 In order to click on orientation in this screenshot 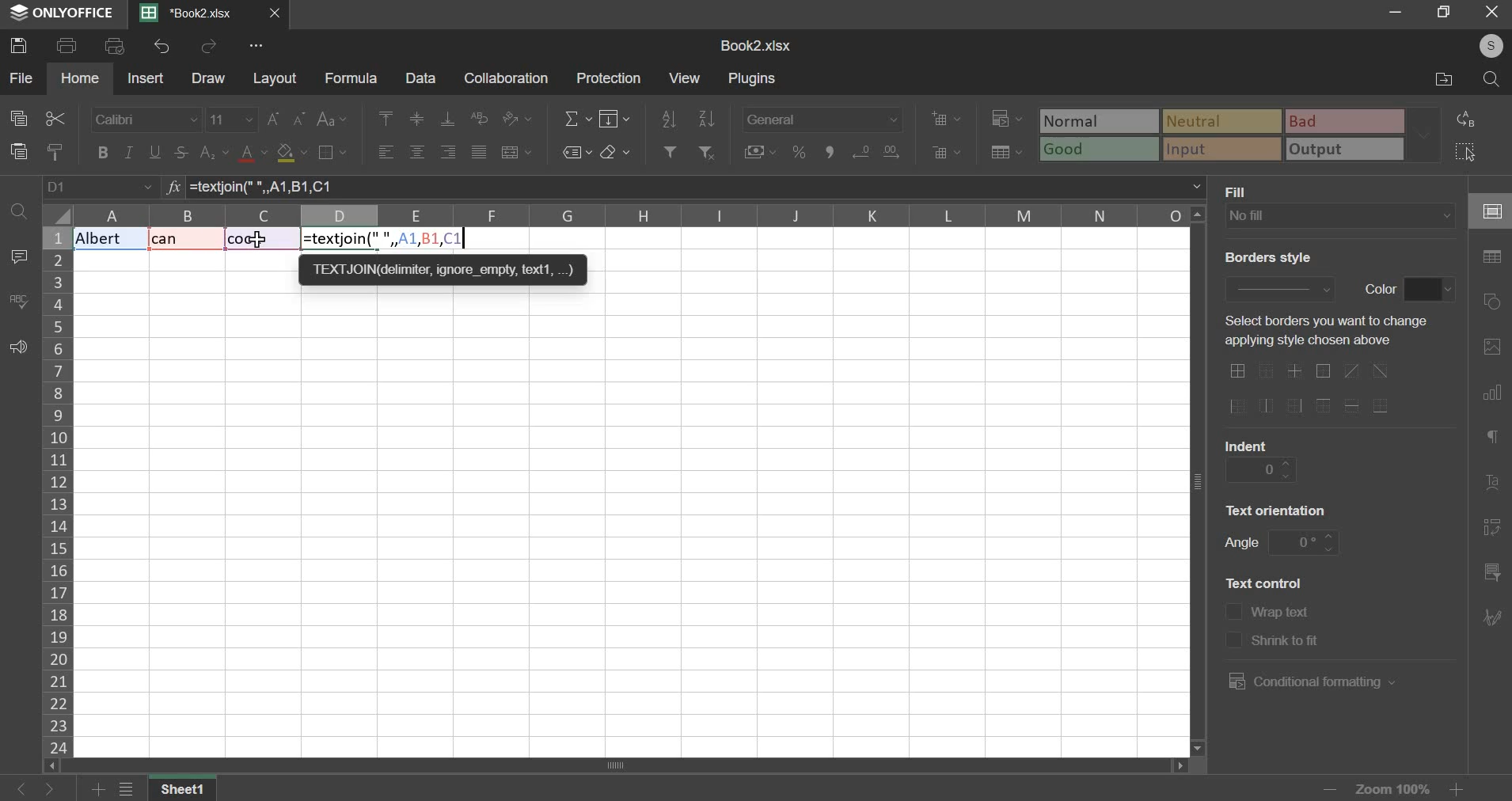, I will do `click(517, 118)`.